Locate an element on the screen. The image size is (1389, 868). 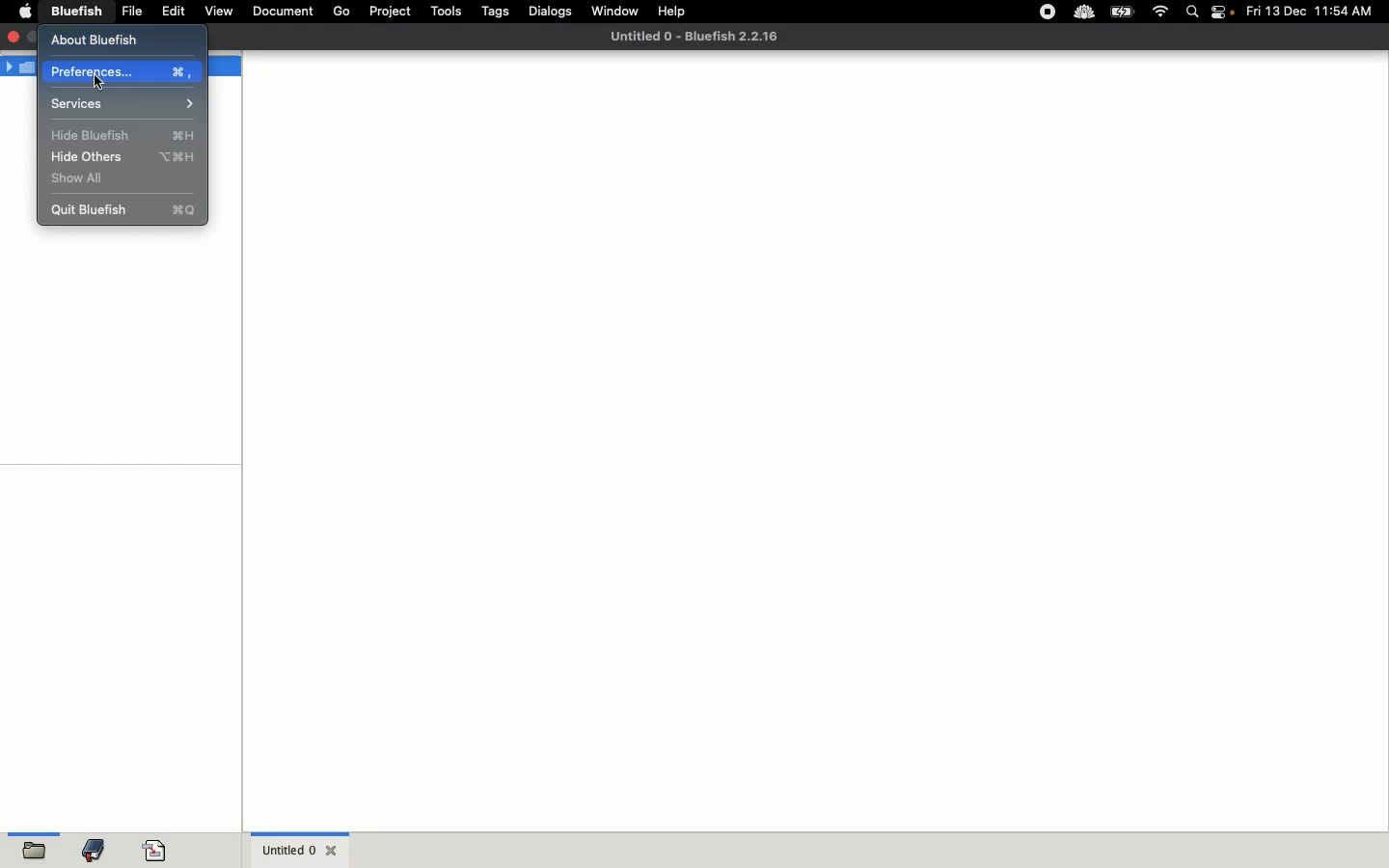
Internet is located at coordinates (1161, 13).